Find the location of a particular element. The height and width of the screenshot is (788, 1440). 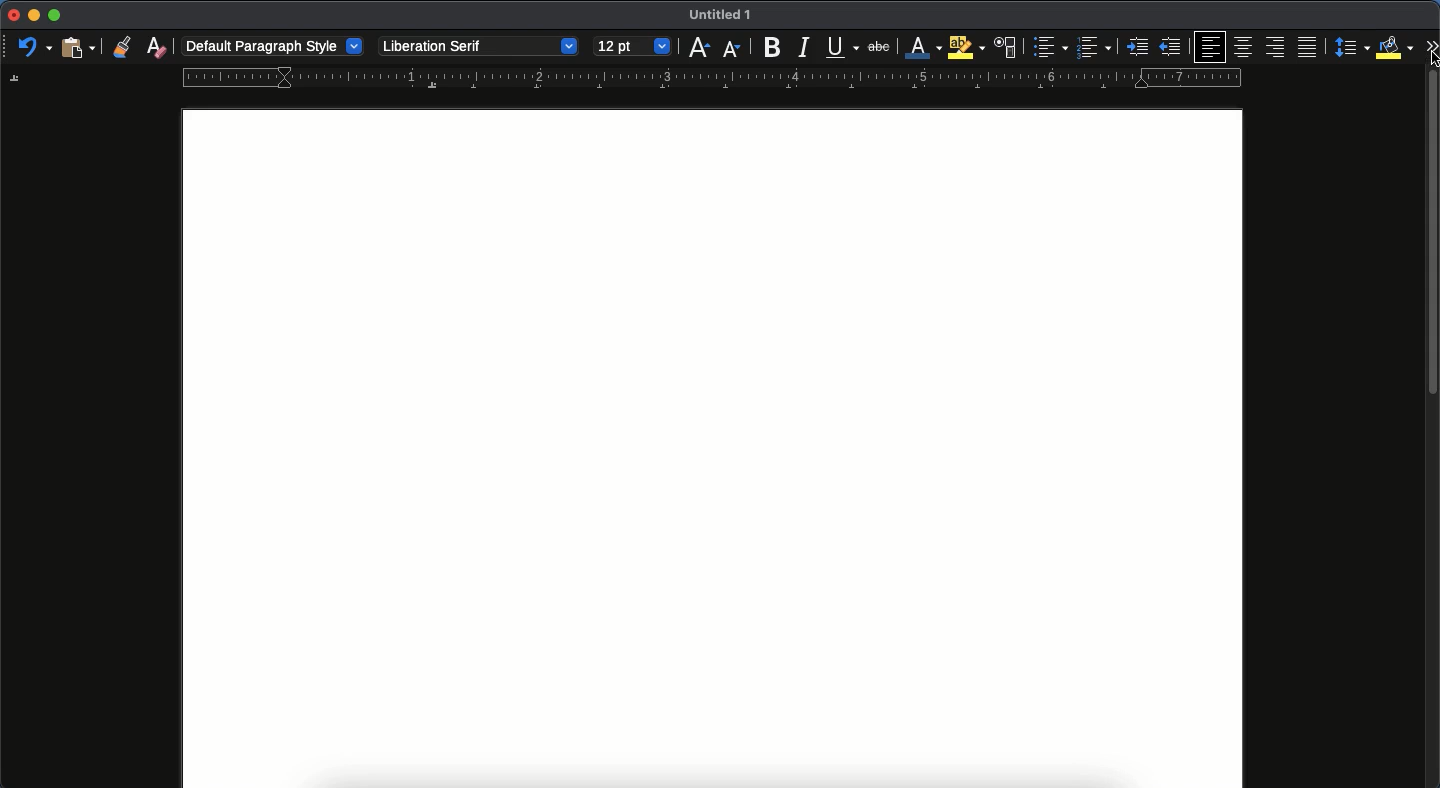

unindent is located at coordinates (1172, 47).